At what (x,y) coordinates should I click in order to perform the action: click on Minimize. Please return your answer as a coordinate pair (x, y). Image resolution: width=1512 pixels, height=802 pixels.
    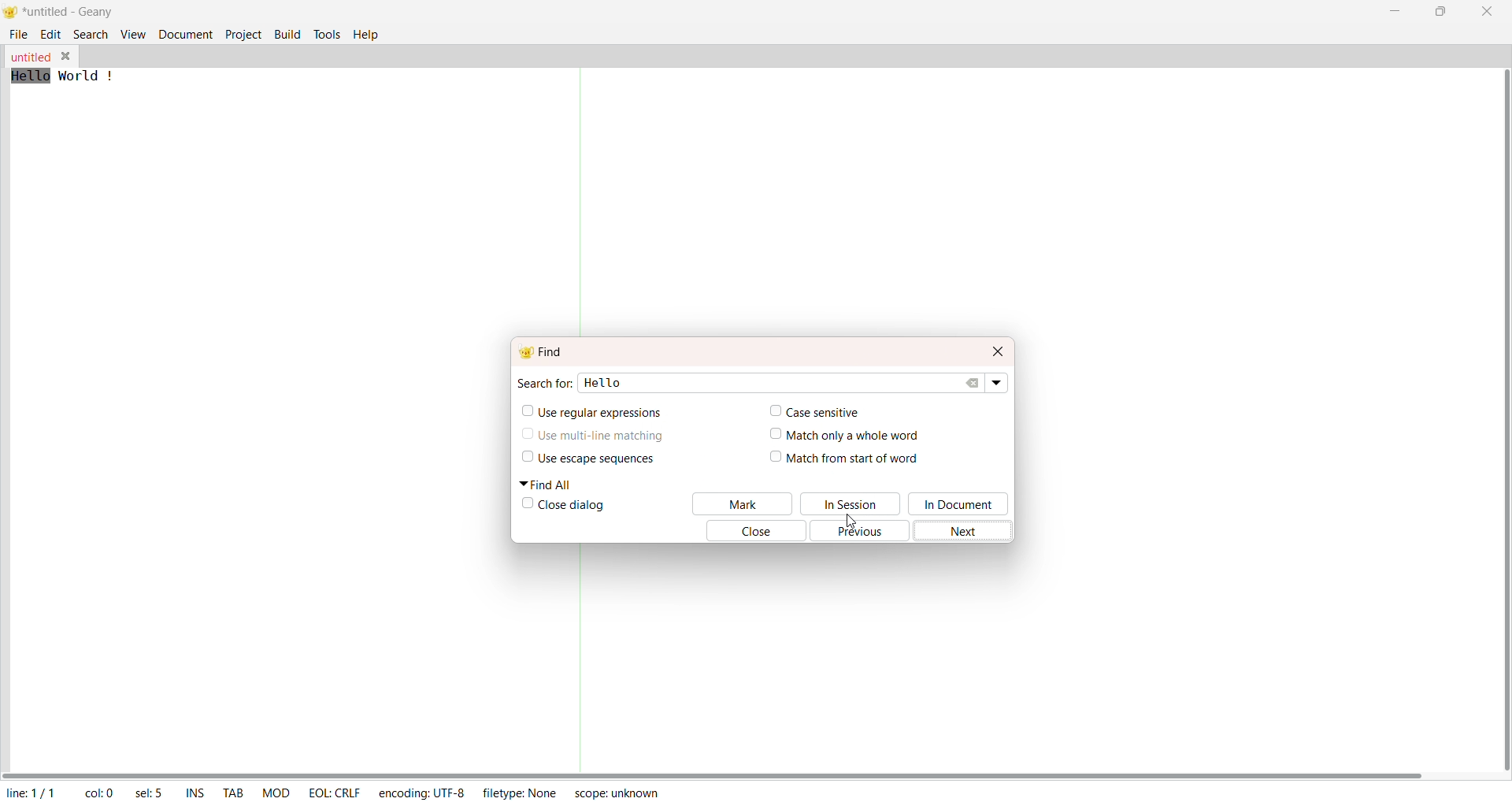
    Looking at the image, I should click on (1391, 12).